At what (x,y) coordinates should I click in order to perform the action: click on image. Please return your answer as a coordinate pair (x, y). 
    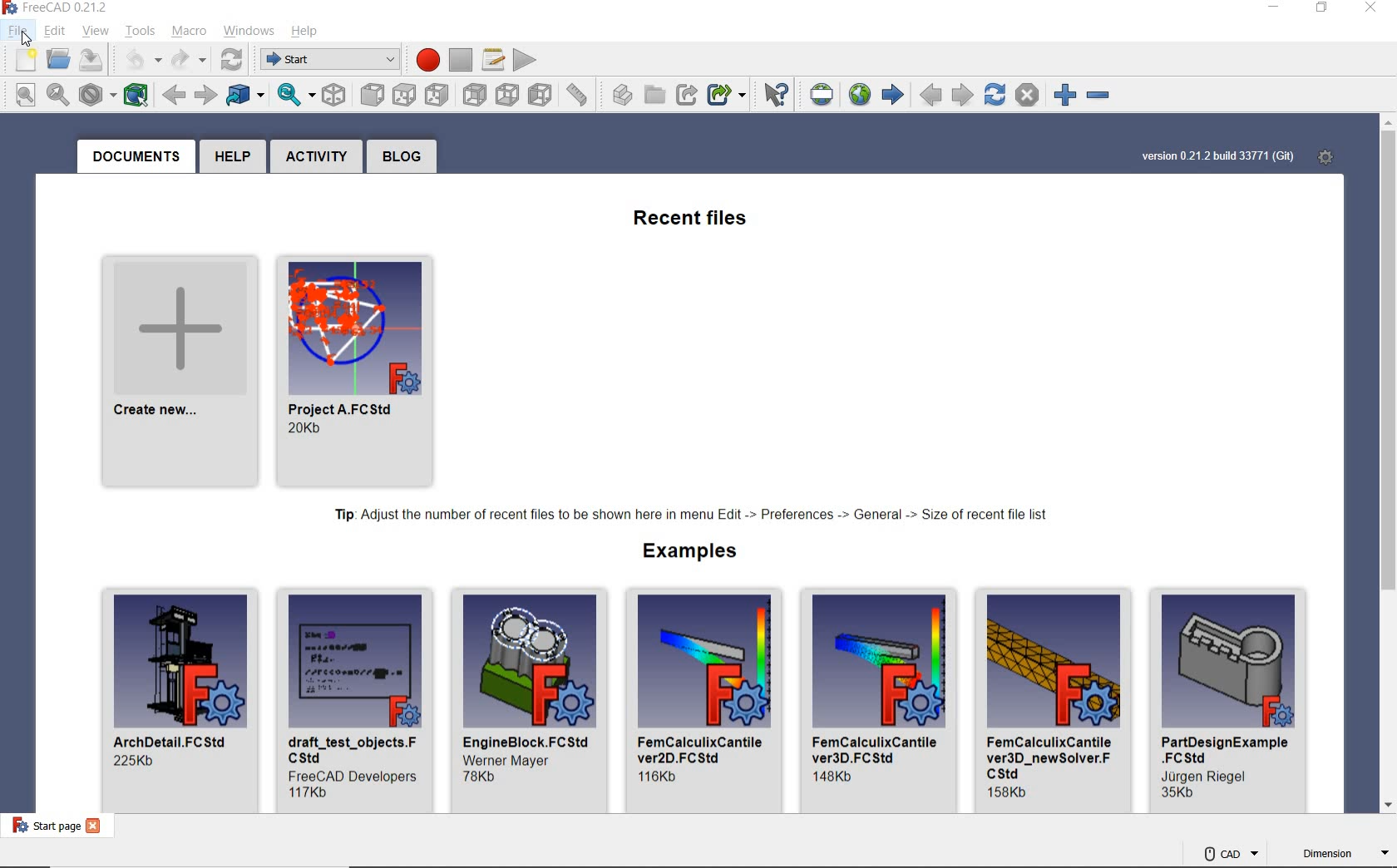
    Looking at the image, I should click on (1229, 662).